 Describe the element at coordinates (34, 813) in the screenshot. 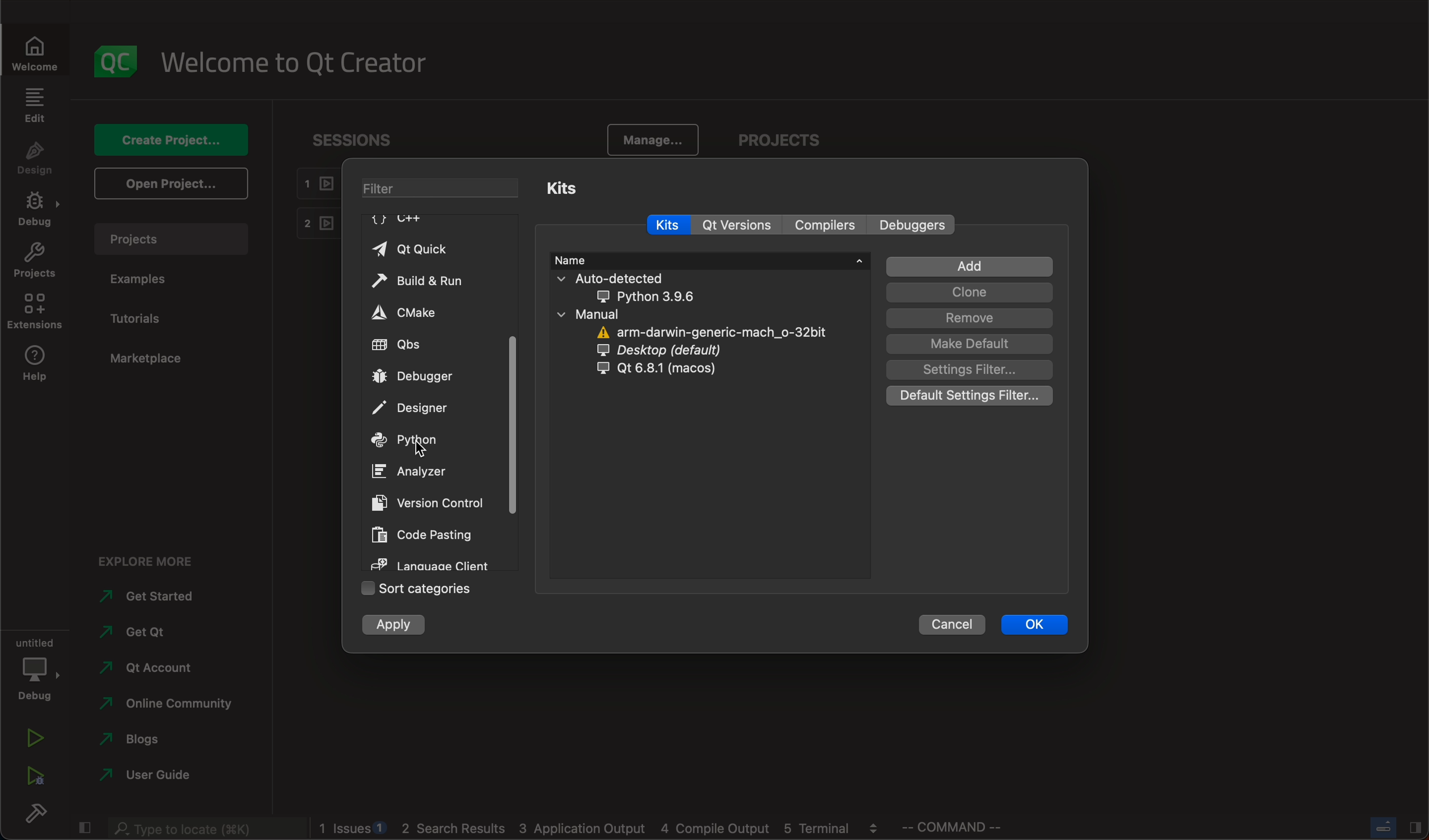

I see `build` at that location.